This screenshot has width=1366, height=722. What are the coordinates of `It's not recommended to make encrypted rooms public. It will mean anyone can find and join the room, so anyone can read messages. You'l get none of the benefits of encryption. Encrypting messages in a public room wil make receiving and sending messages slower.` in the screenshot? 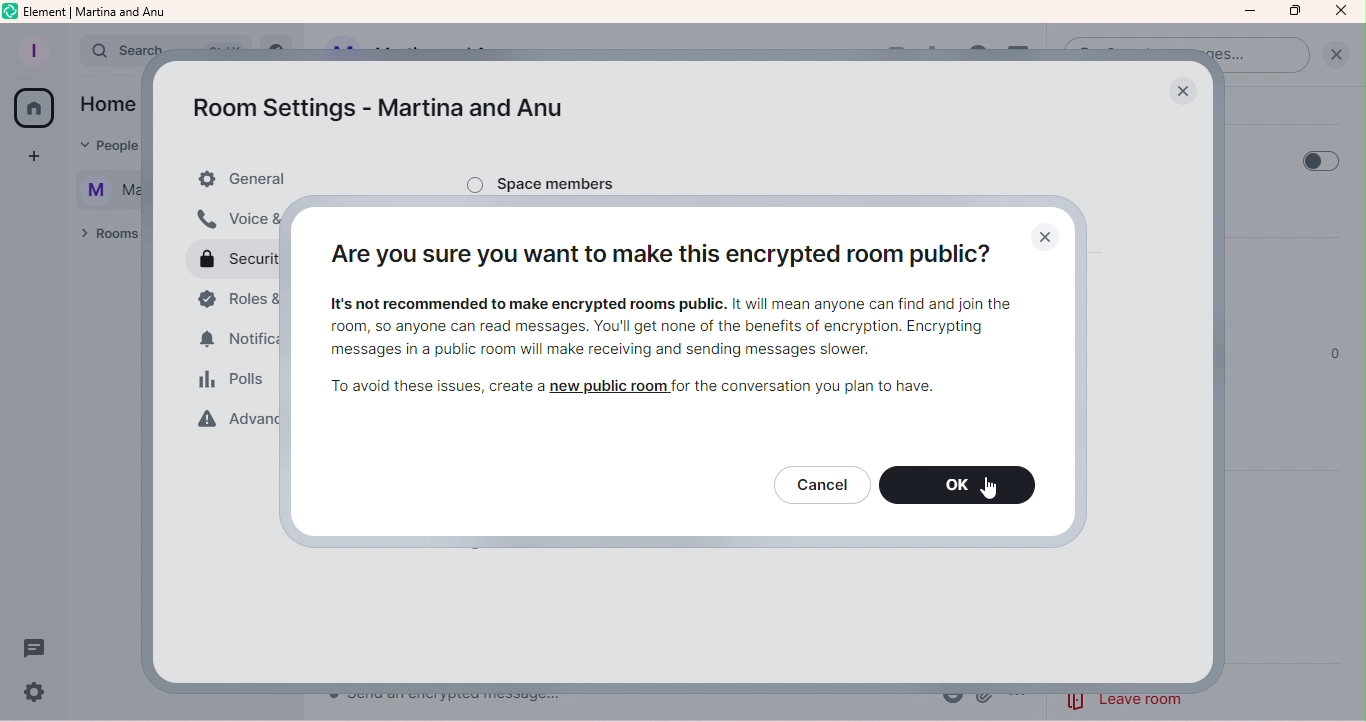 It's located at (660, 322).